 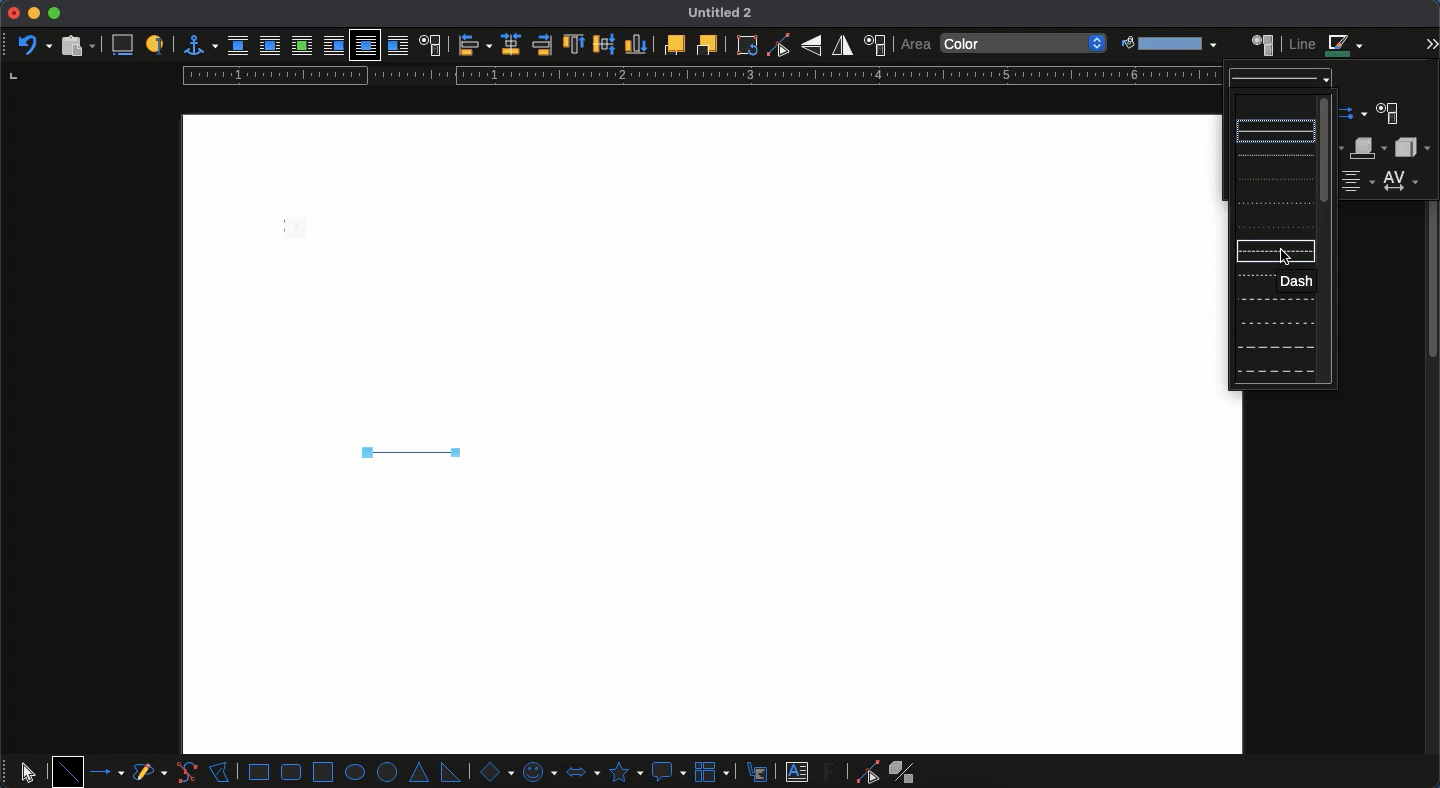 I want to click on maximize, so click(x=54, y=14).